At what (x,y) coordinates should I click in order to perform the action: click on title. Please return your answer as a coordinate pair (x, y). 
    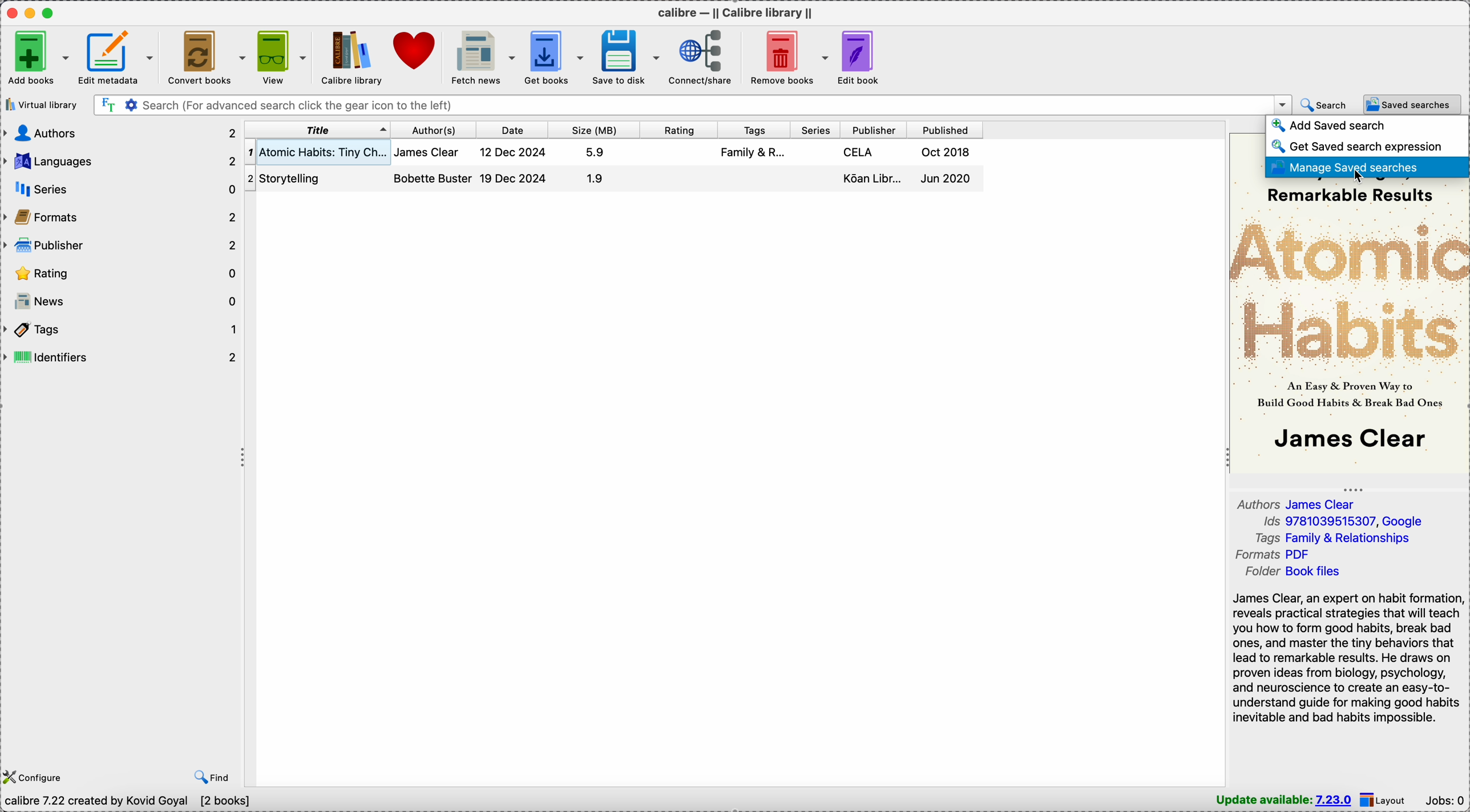
    Looking at the image, I should click on (316, 131).